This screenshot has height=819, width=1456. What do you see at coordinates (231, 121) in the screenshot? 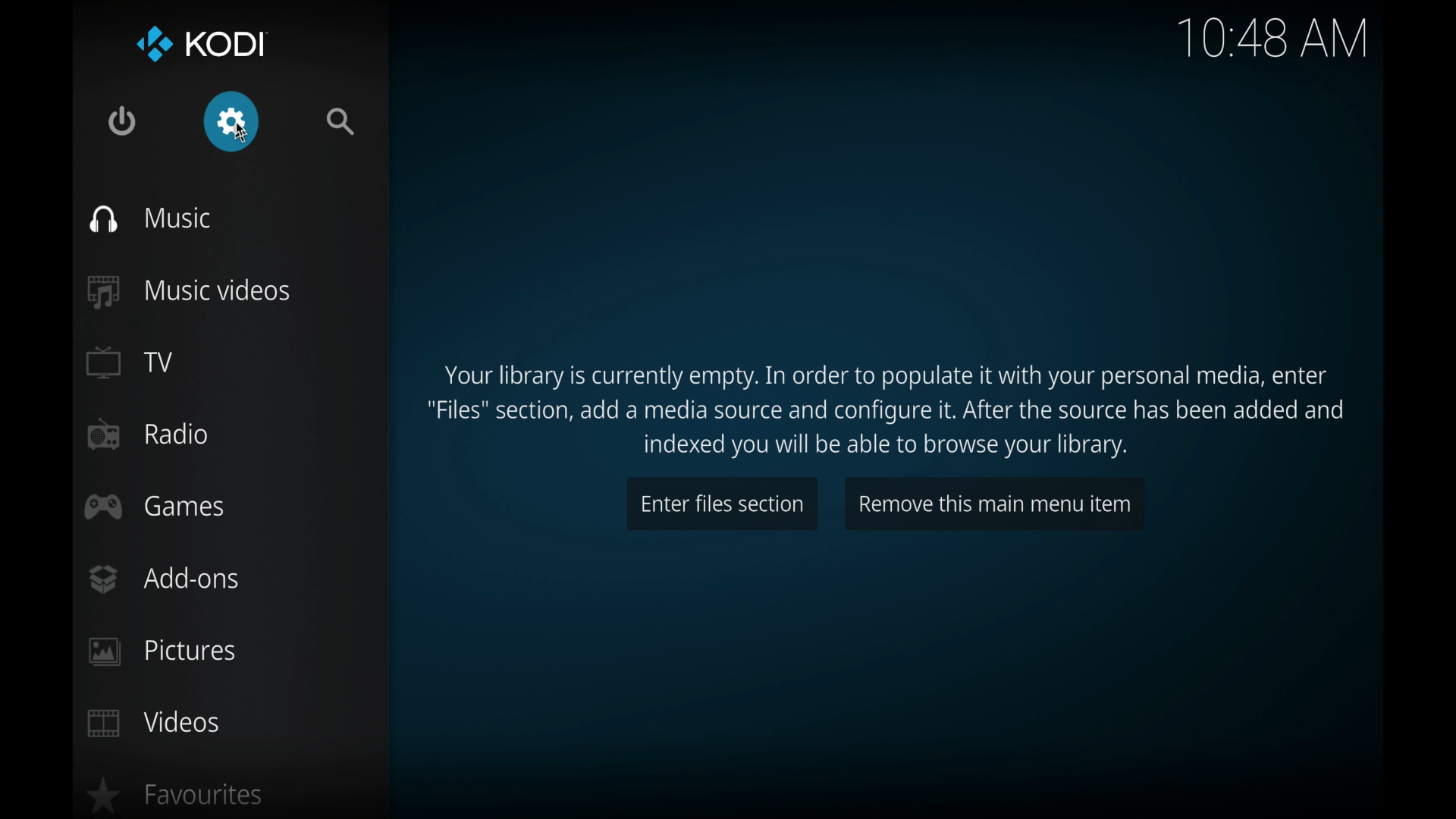
I see `settings` at bounding box center [231, 121].